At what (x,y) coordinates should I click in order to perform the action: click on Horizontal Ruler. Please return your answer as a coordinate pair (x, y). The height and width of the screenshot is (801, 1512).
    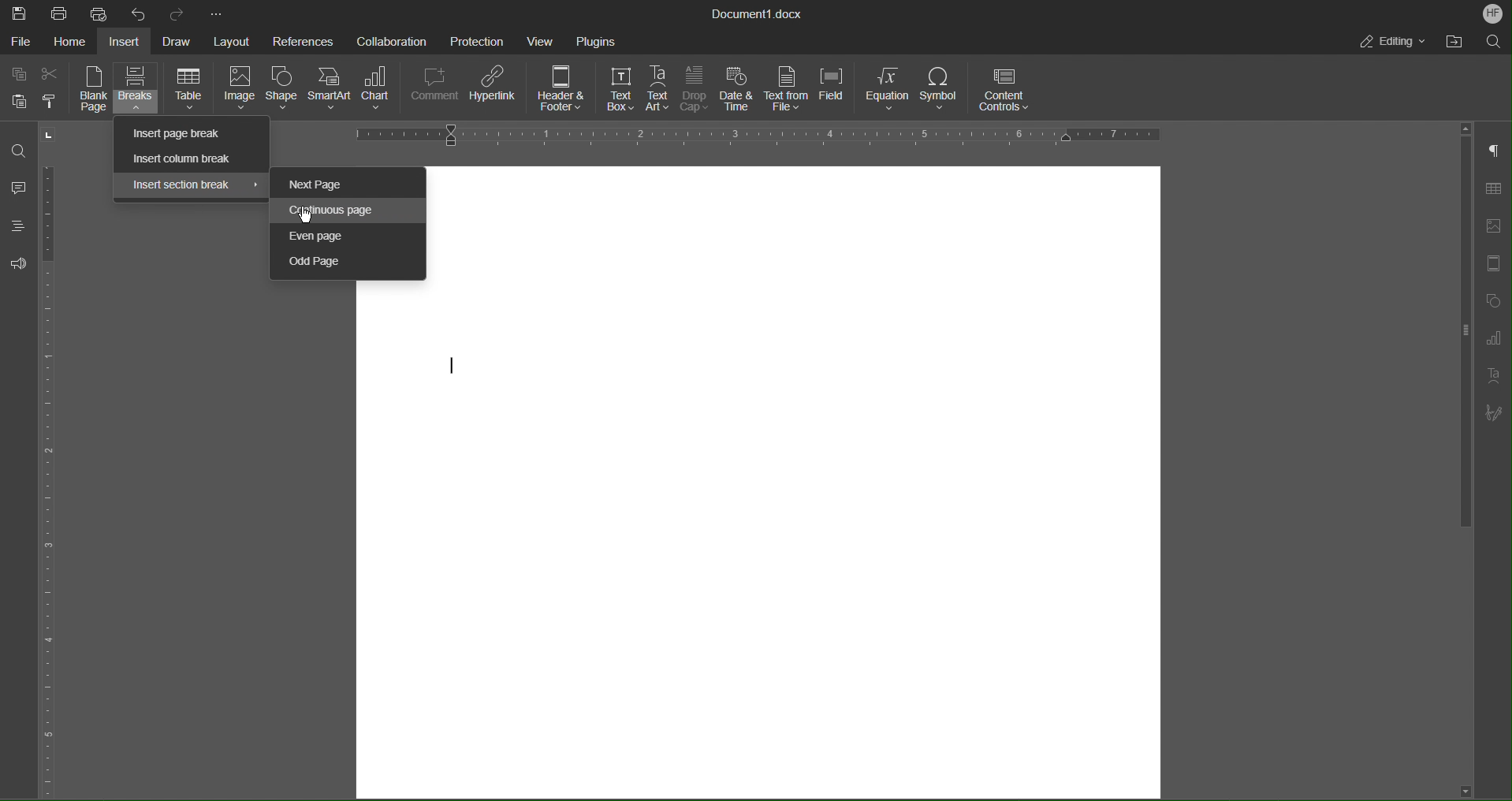
    Looking at the image, I should click on (758, 133).